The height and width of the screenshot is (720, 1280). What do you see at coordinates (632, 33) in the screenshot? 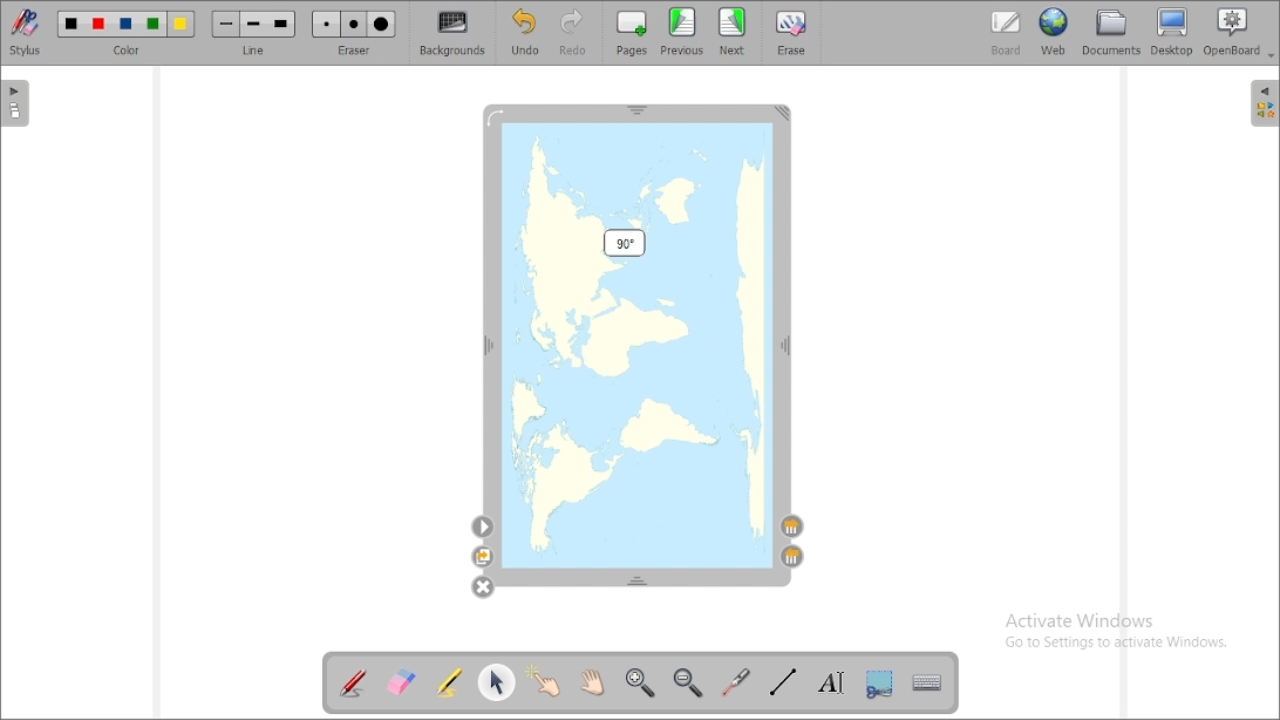
I see `pages` at bounding box center [632, 33].